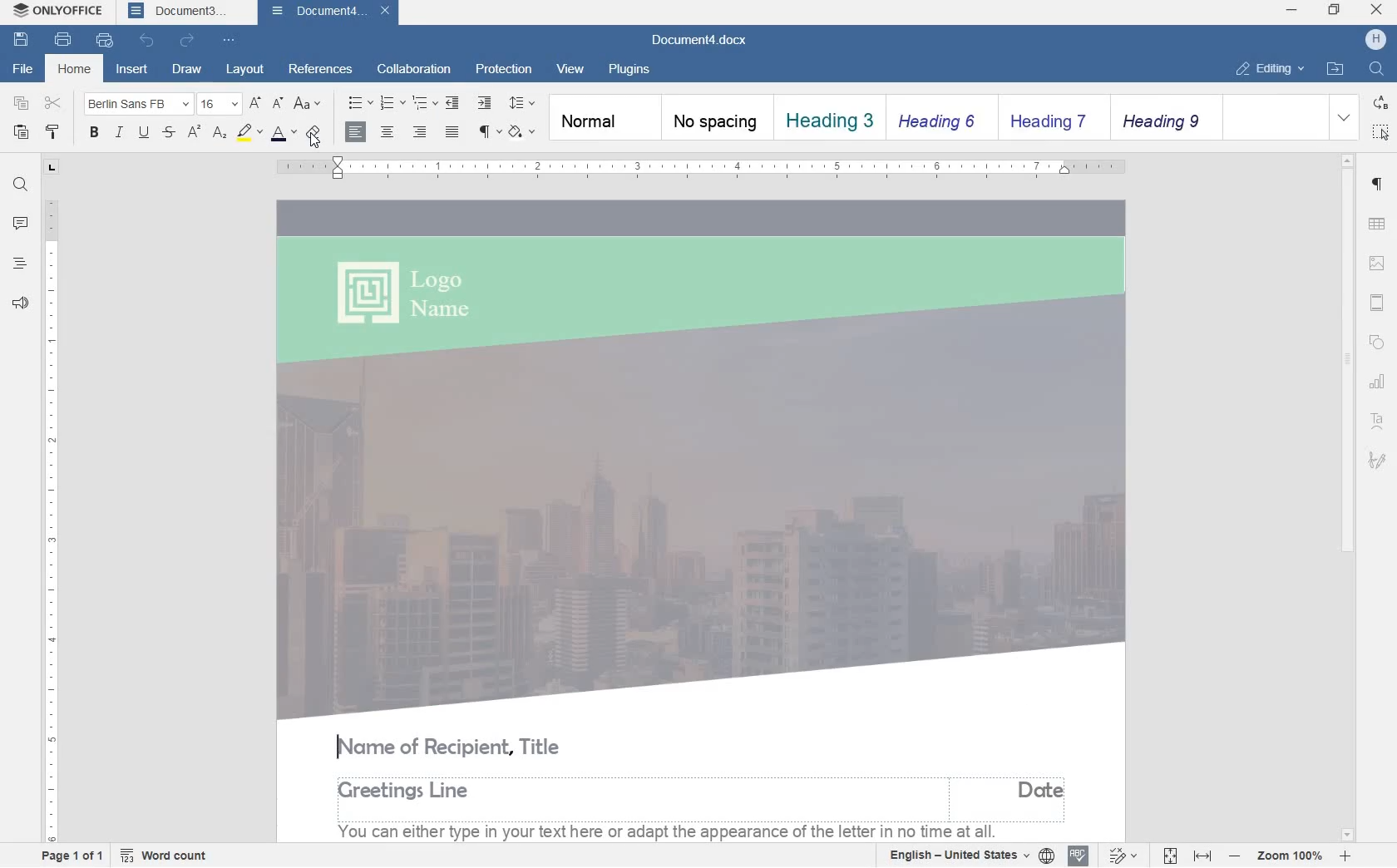 The height and width of the screenshot is (868, 1397). What do you see at coordinates (1169, 854) in the screenshot?
I see `fit to page` at bounding box center [1169, 854].